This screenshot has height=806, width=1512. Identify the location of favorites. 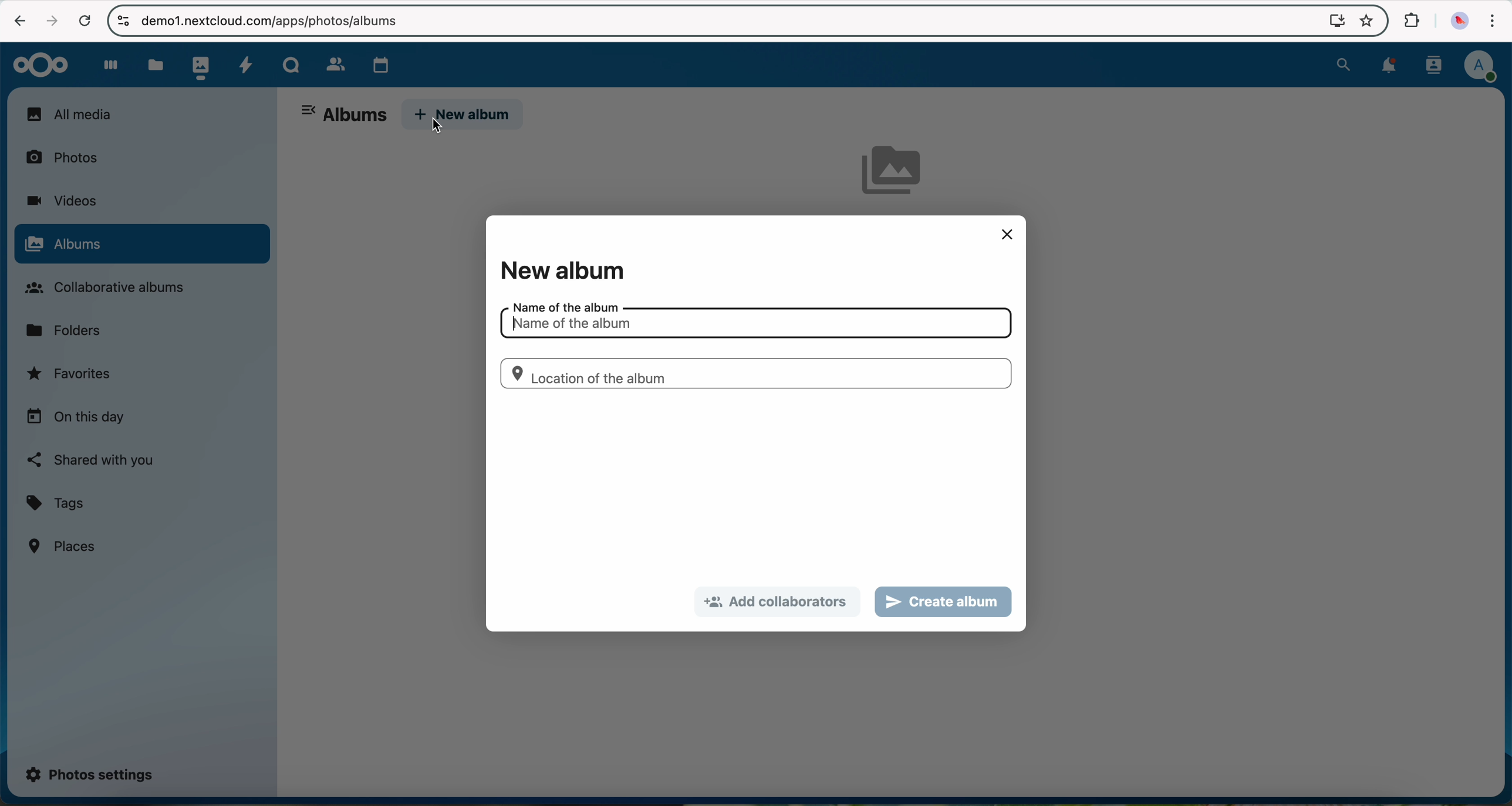
(1365, 22).